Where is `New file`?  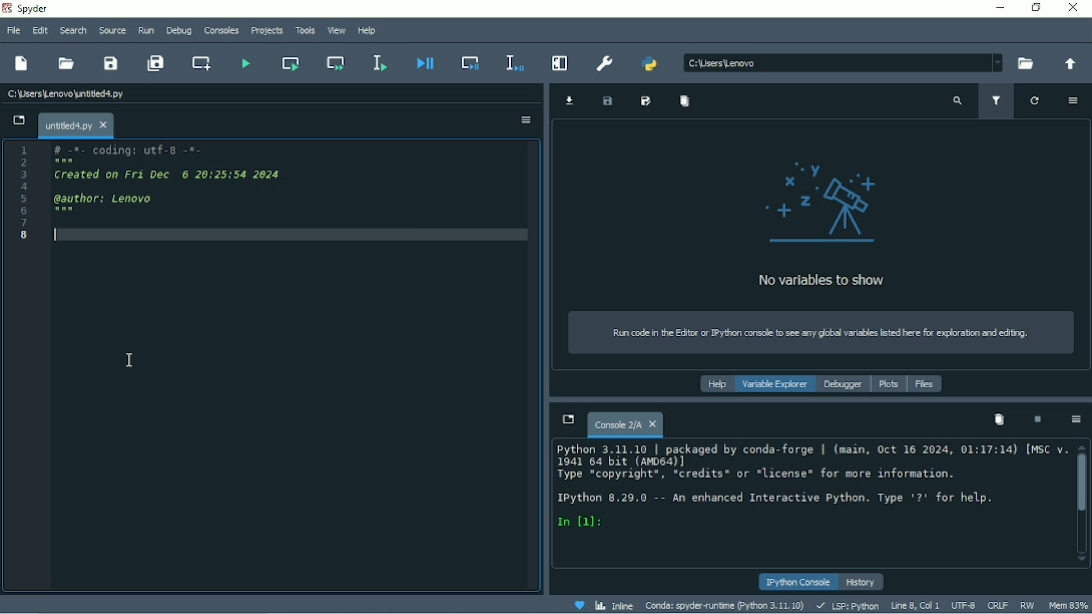 New file is located at coordinates (21, 65).